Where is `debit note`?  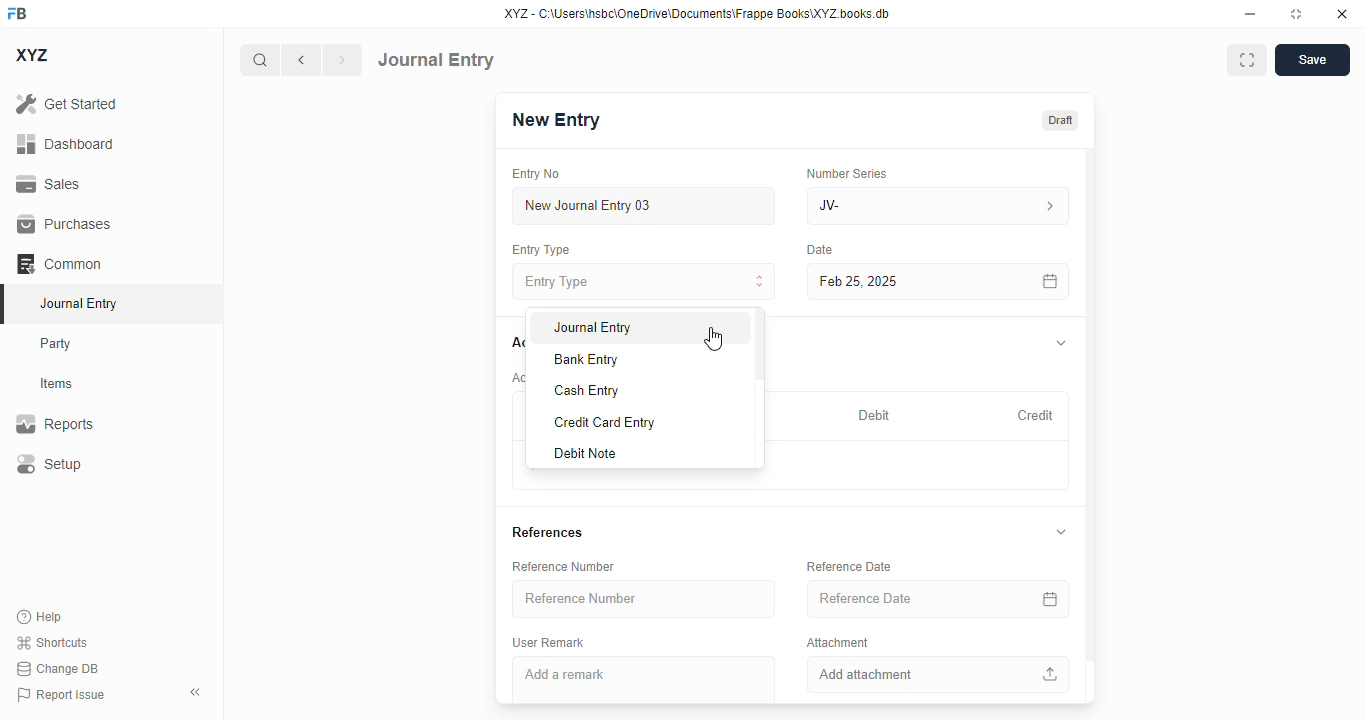
debit note is located at coordinates (585, 453).